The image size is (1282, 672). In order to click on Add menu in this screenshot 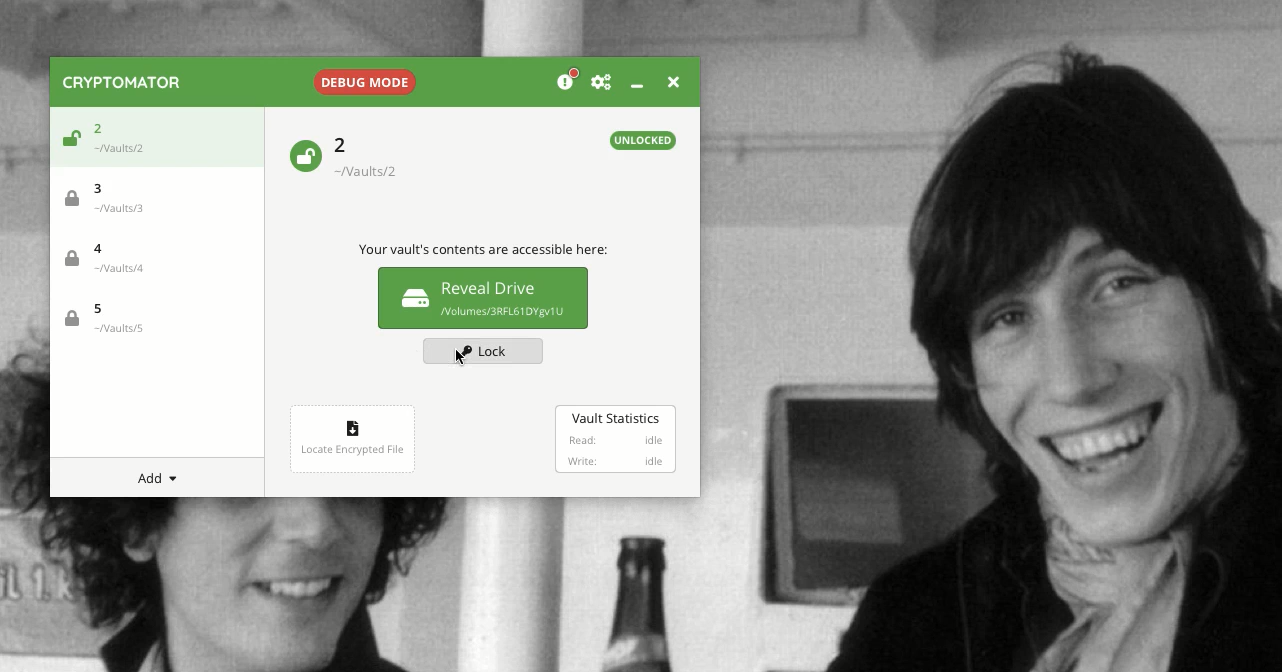, I will do `click(161, 479)`.